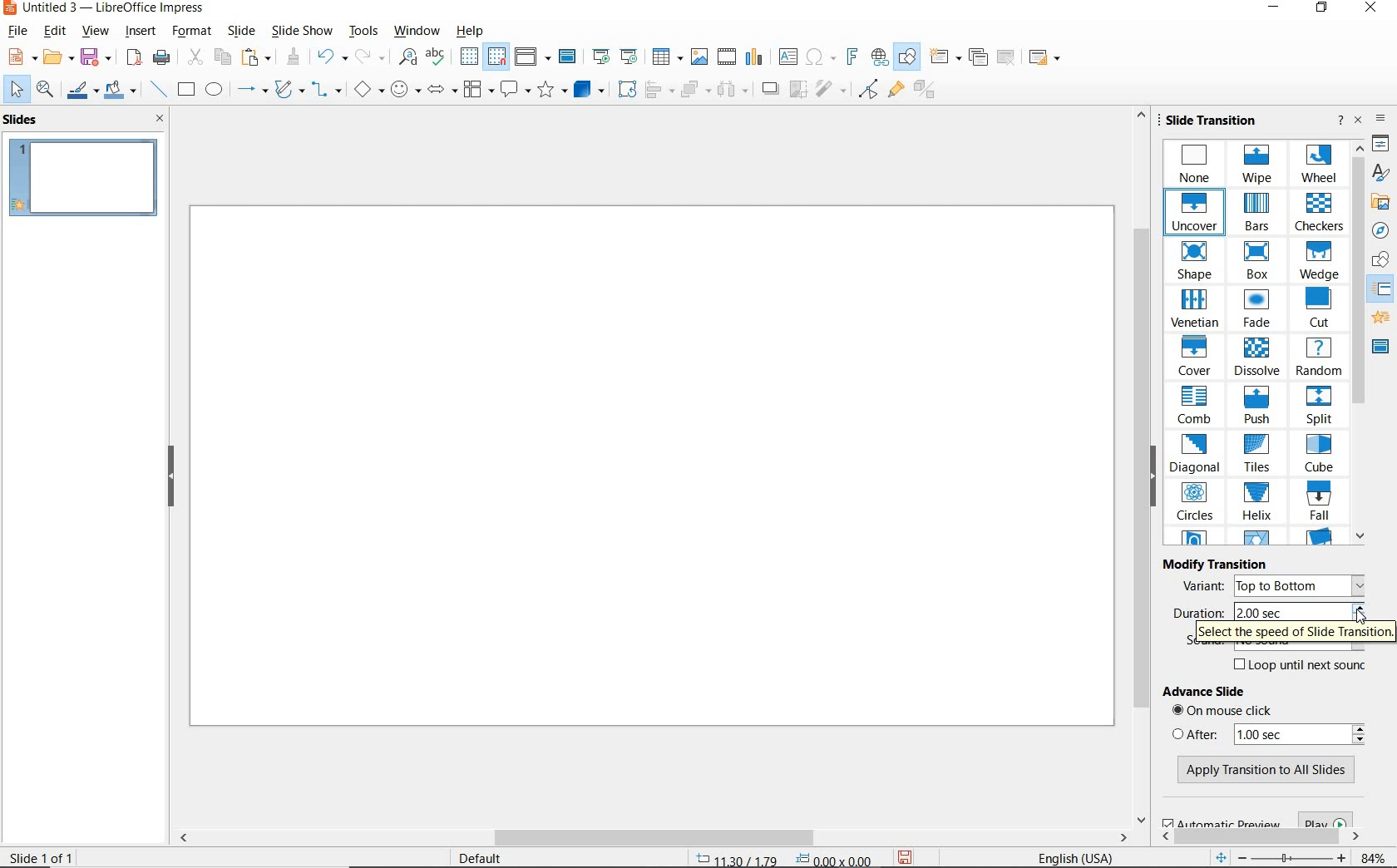 Image resolution: width=1397 pixels, height=868 pixels. Describe the element at coordinates (58, 57) in the screenshot. I see `OPEN` at that location.